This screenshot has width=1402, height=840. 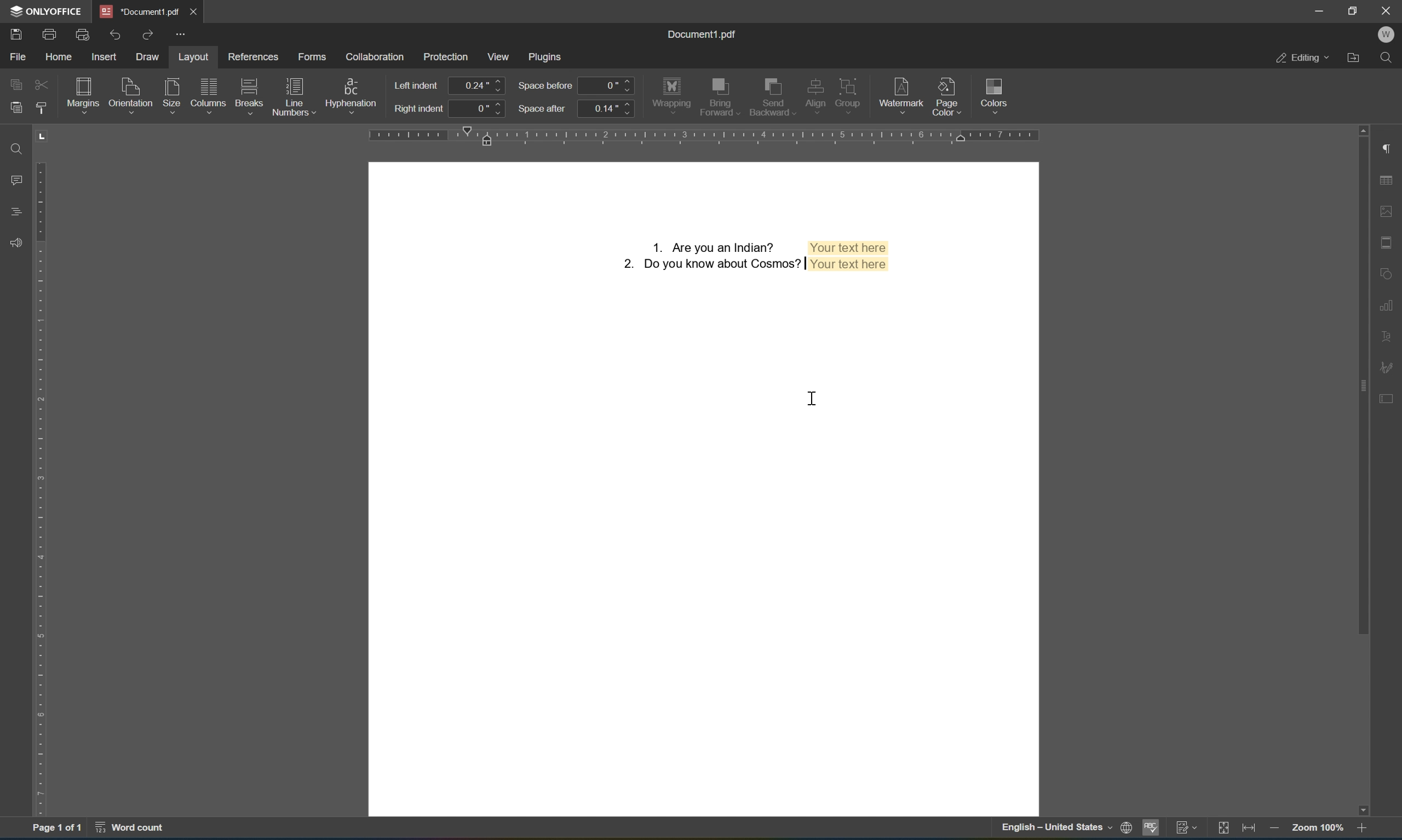 I want to click on copy style, so click(x=40, y=107).